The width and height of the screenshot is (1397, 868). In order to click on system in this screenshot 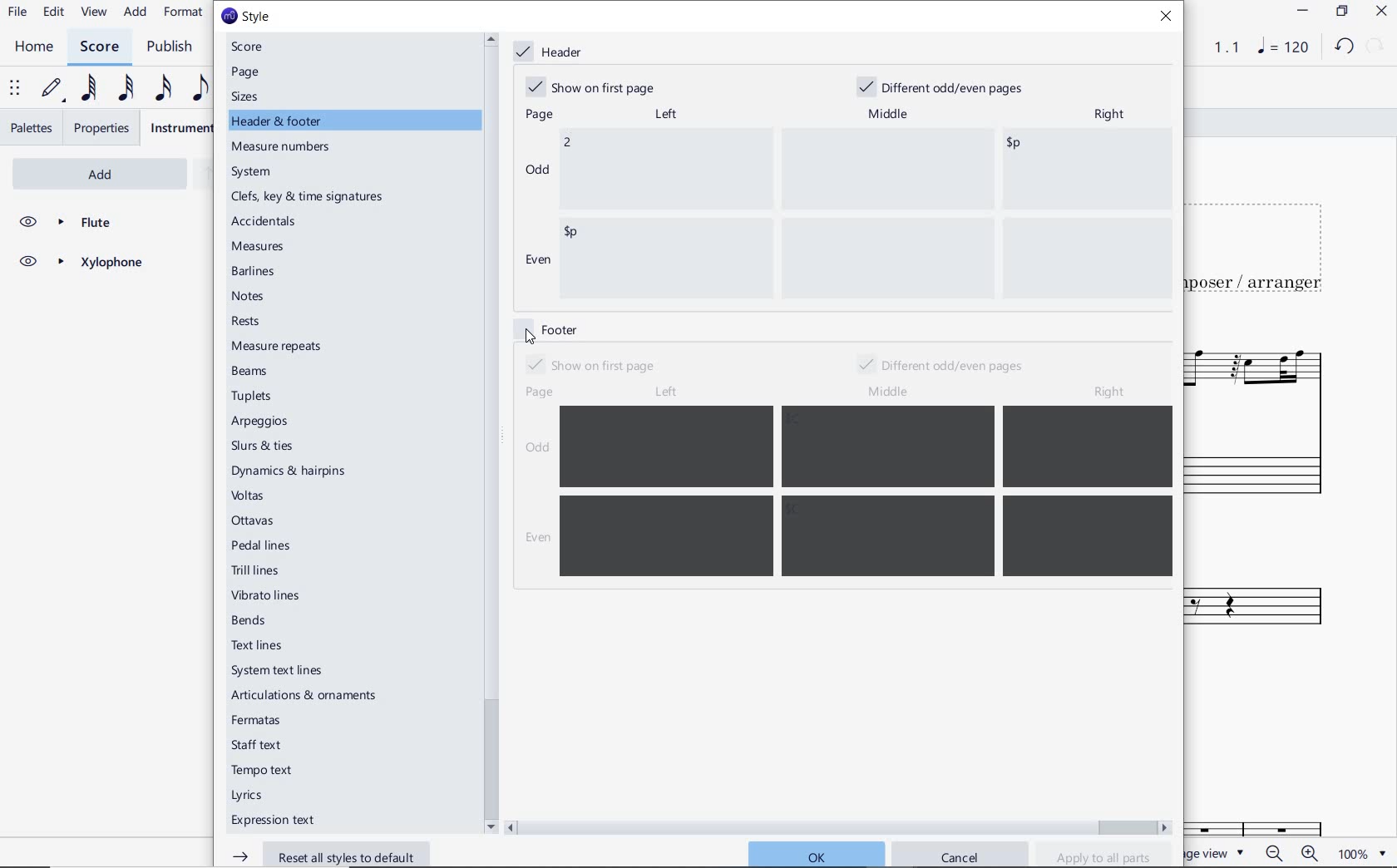, I will do `click(254, 172)`.